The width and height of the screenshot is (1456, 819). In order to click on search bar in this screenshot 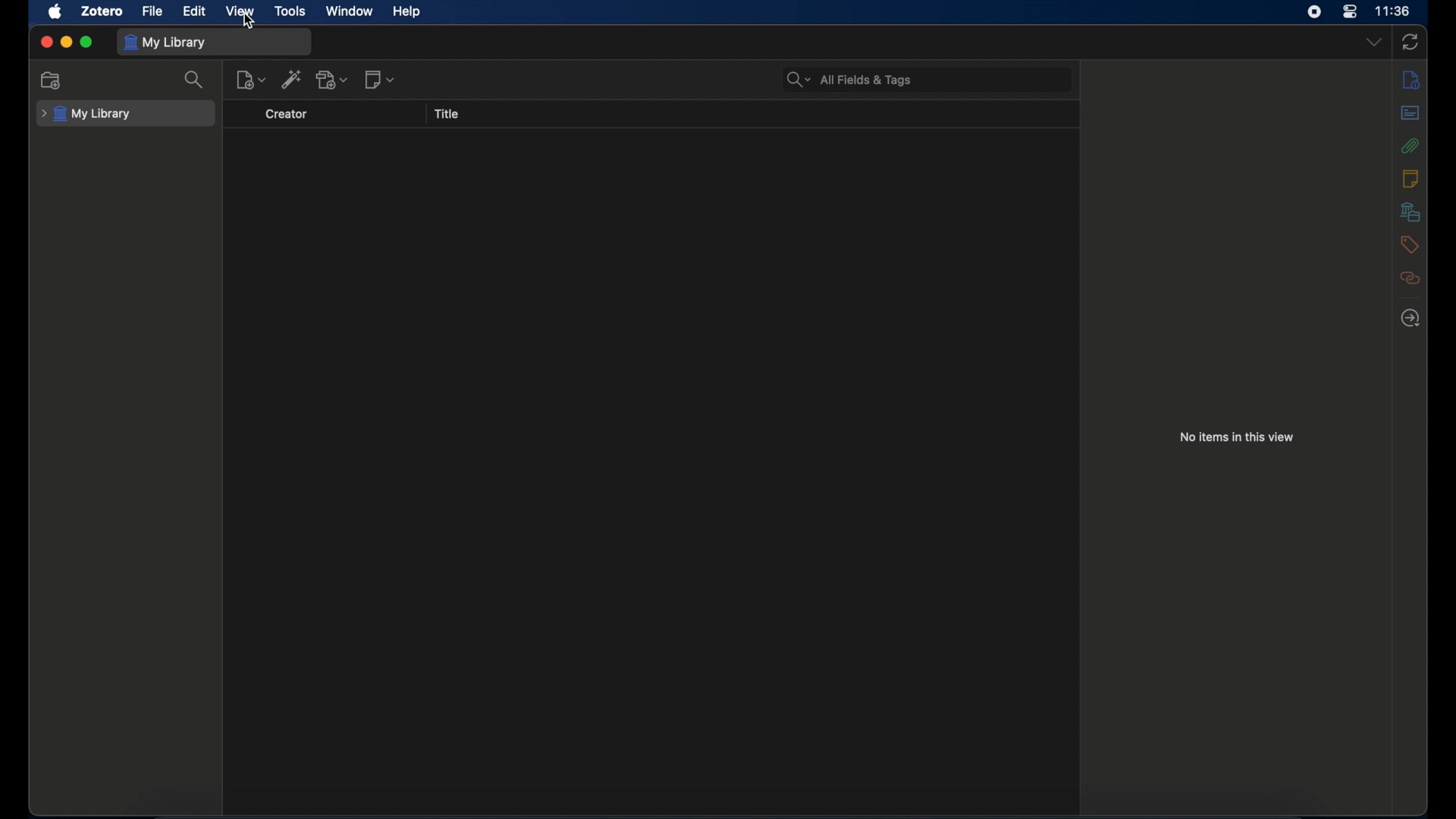, I will do `click(850, 80)`.